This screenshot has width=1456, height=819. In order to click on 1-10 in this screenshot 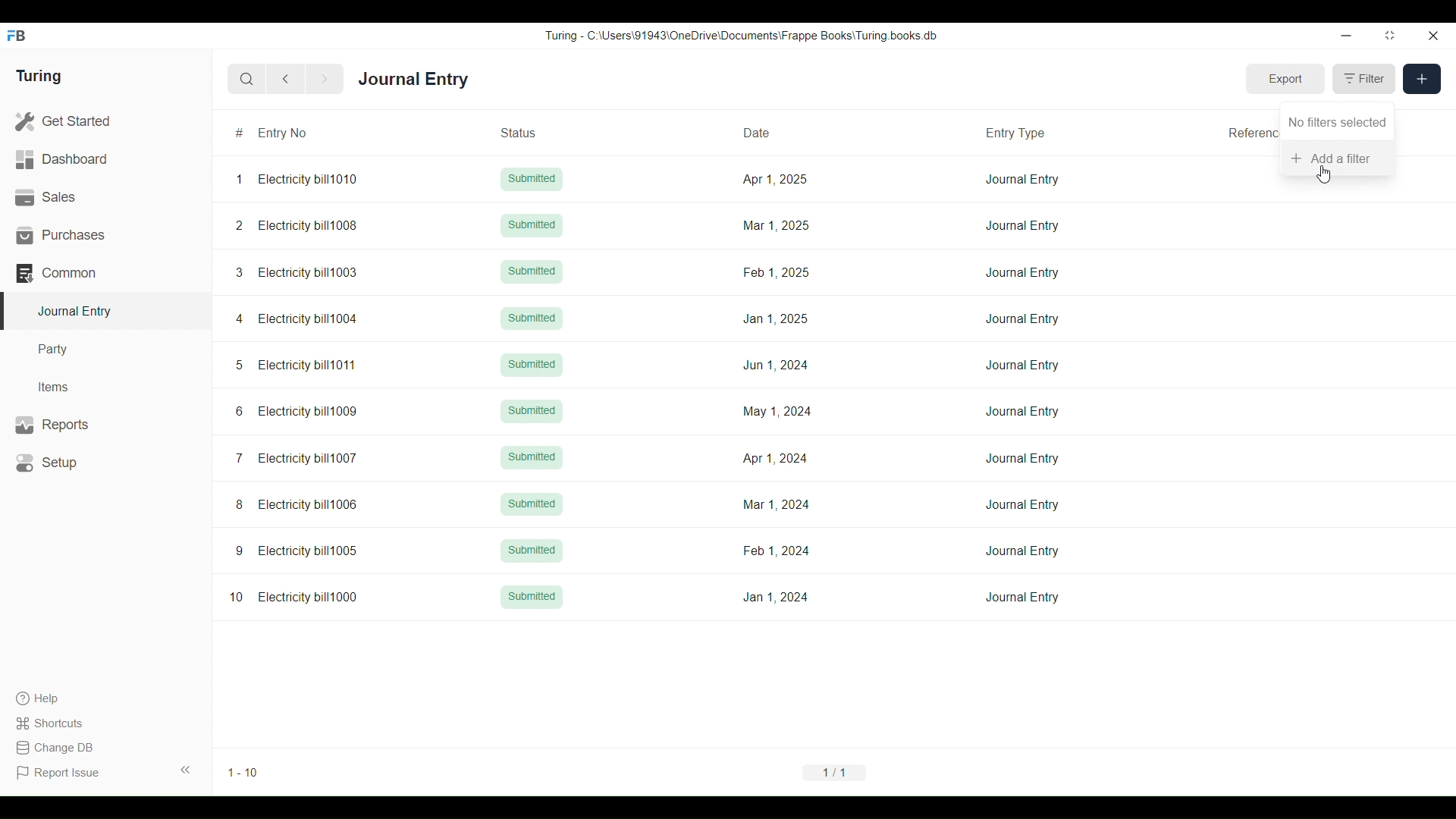, I will do `click(243, 773)`.